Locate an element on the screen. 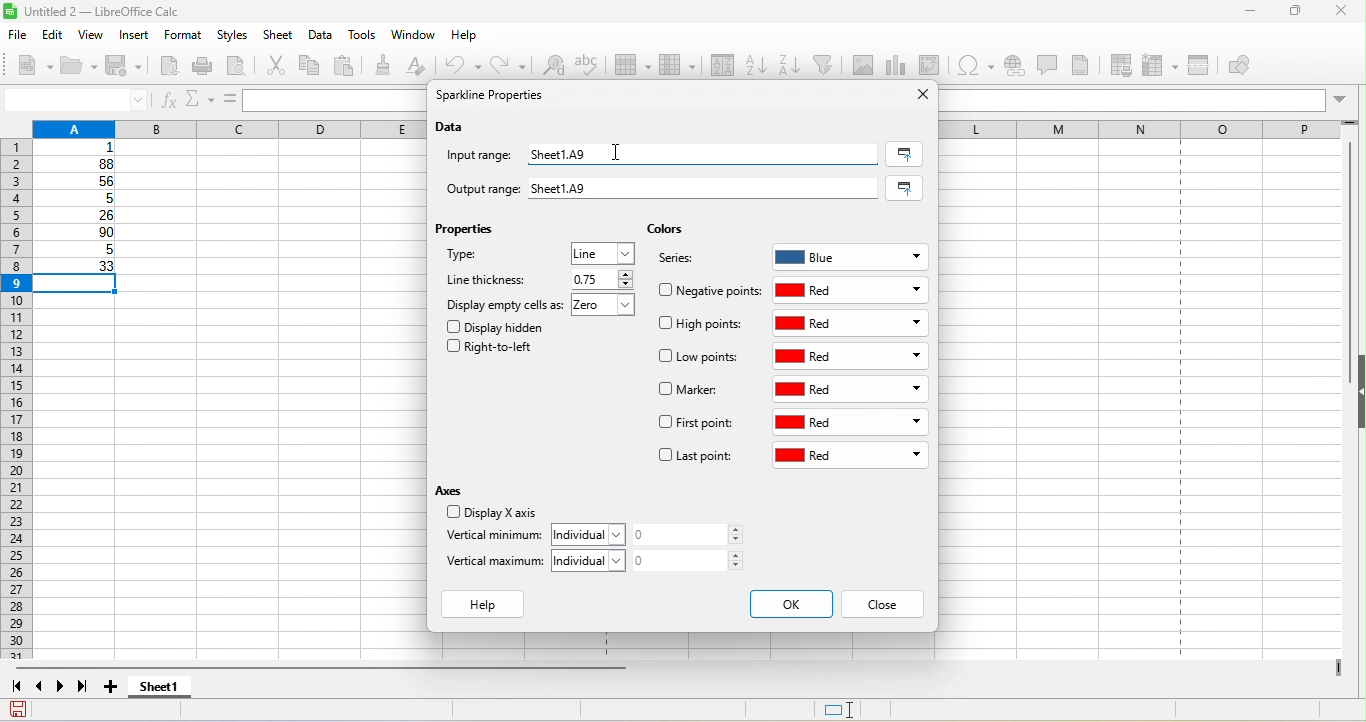  copy is located at coordinates (311, 65).